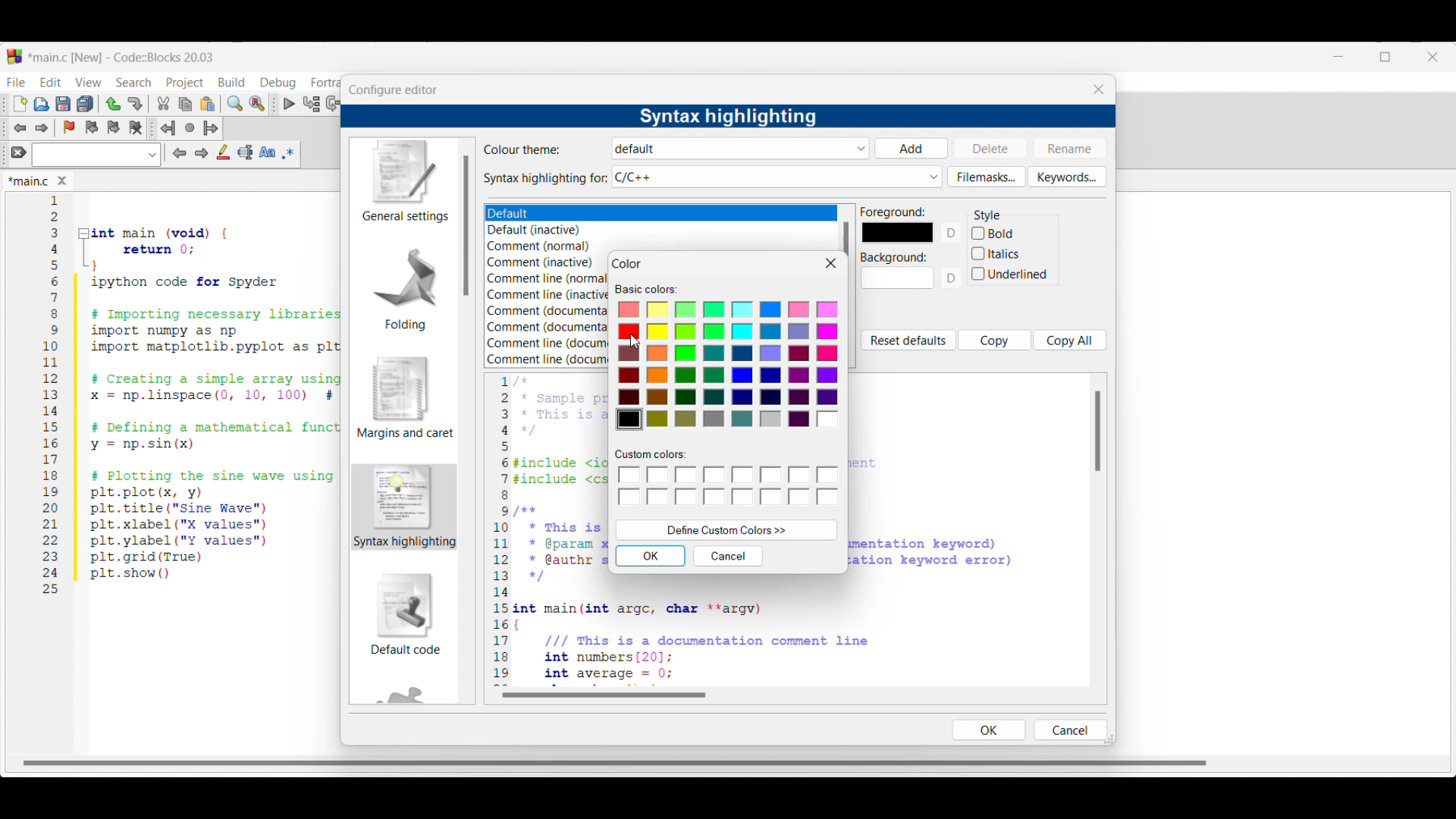 The height and width of the screenshot is (819, 1456). I want to click on Project name, software name and version, so click(124, 57).